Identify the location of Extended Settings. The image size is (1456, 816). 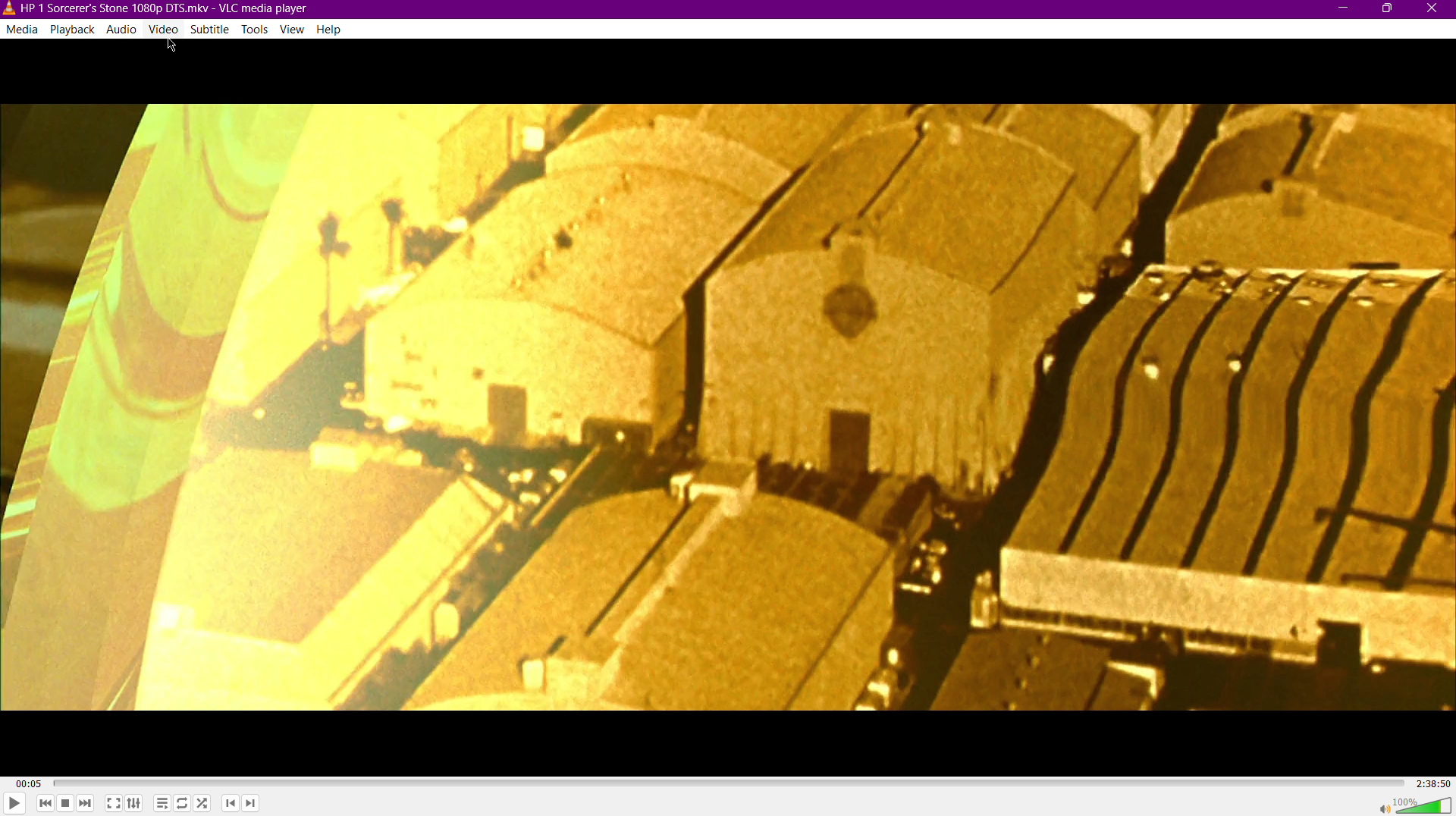
(133, 802).